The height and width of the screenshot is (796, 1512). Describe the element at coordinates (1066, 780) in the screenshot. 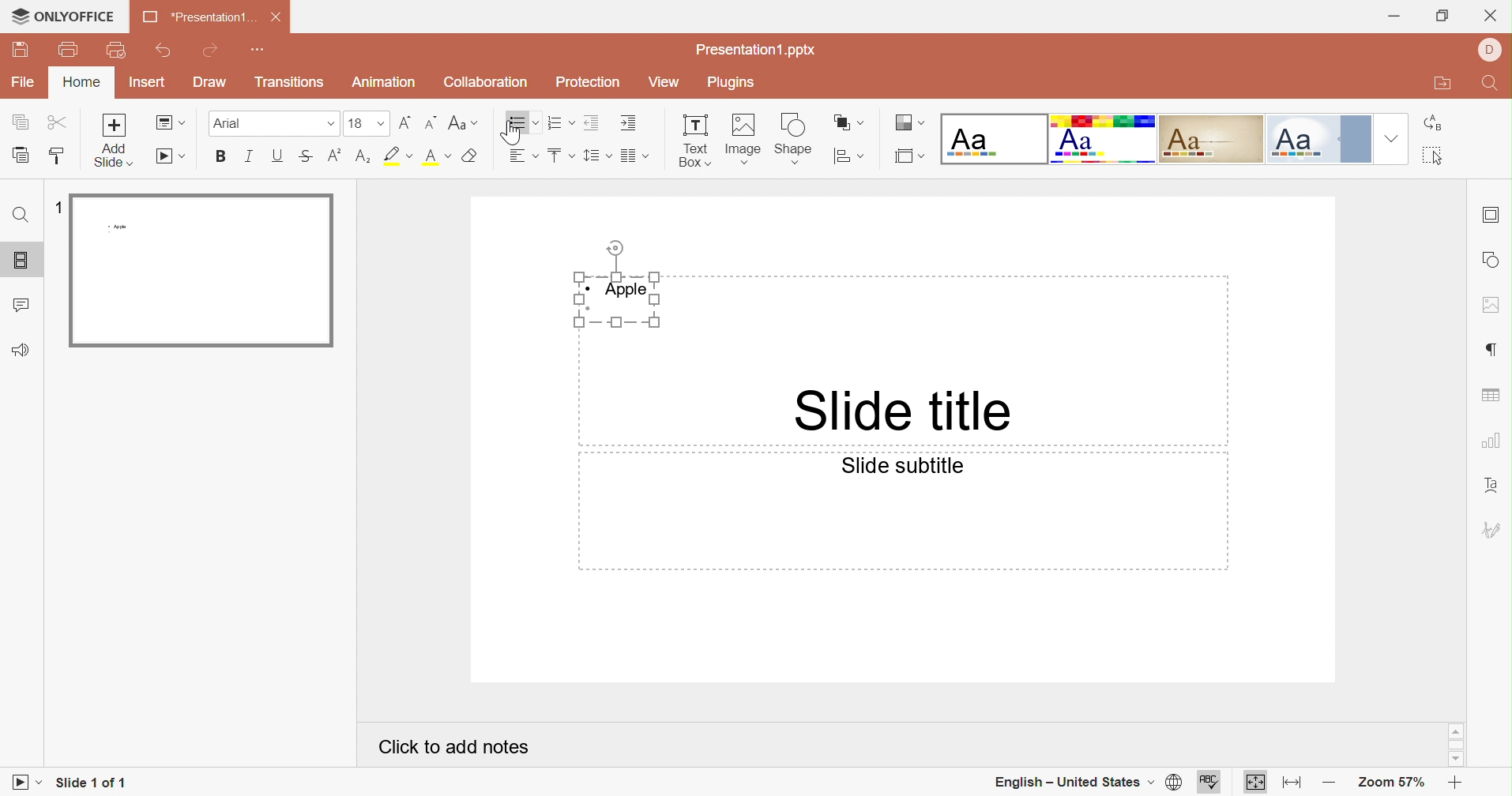

I see `English - United States` at that location.